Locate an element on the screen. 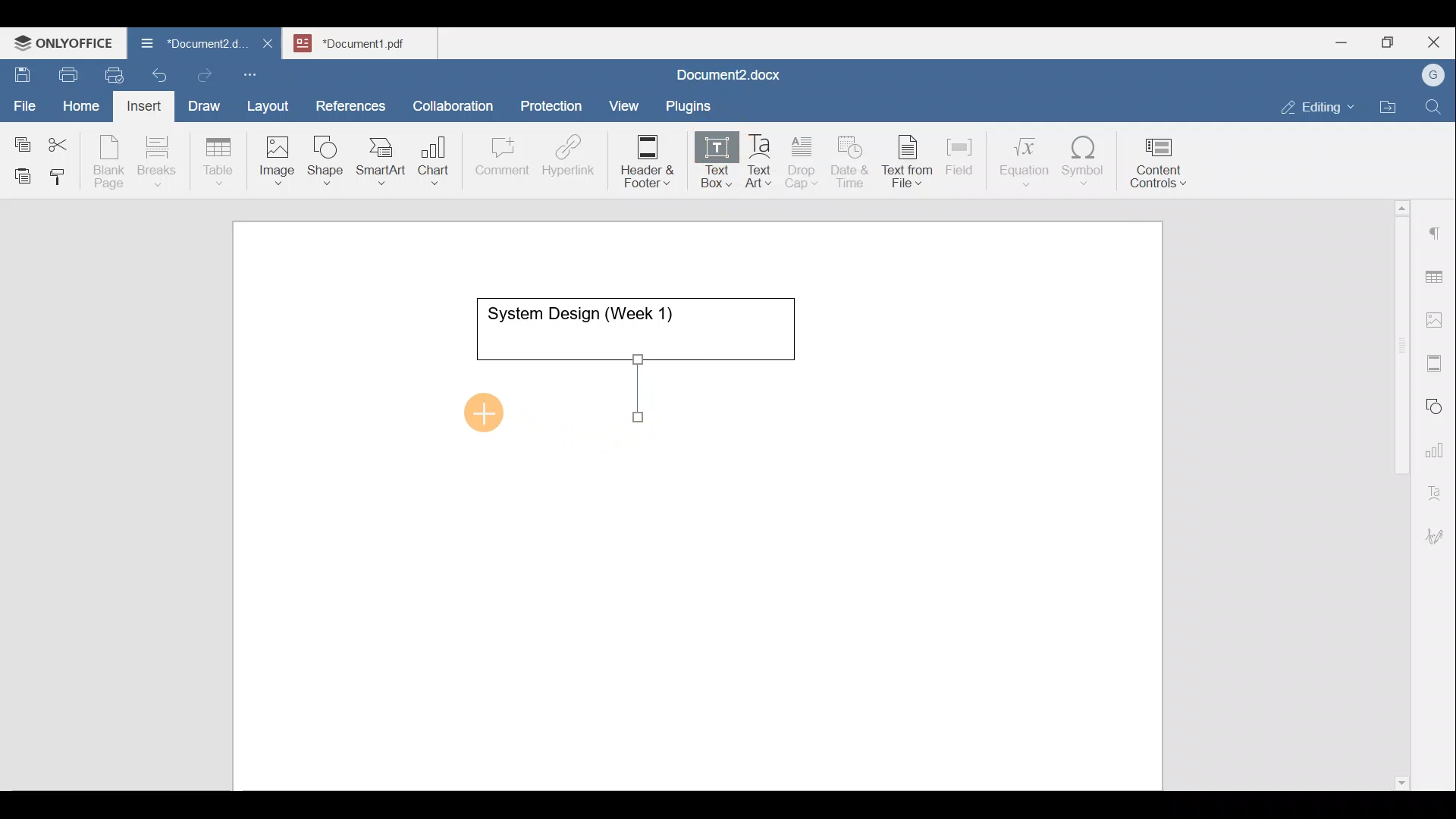 Image resolution: width=1456 pixels, height=819 pixels. Print file is located at coordinates (65, 72).